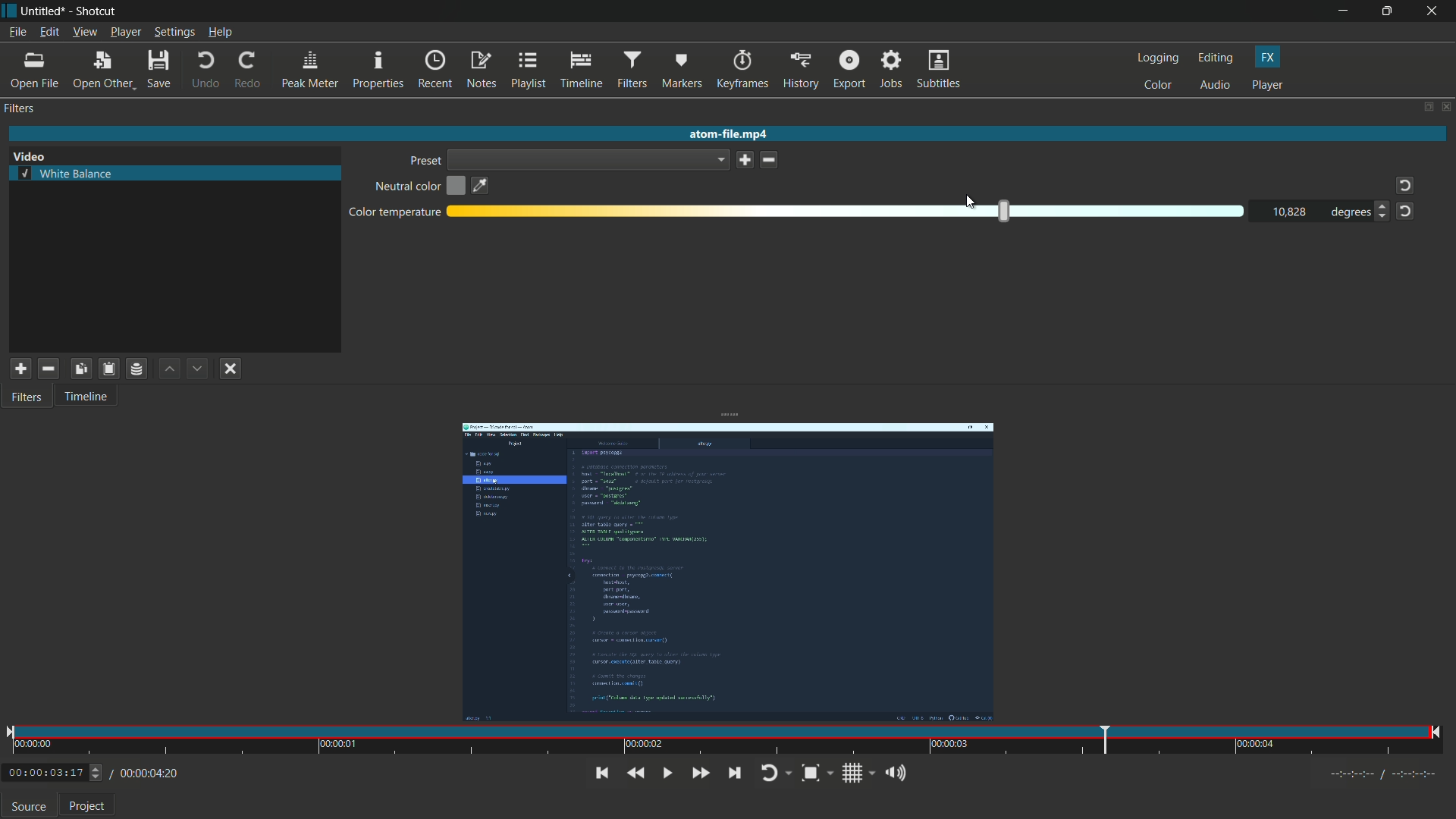  Describe the element at coordinates (158, 67) in the screenshot. I see `save` at that location.